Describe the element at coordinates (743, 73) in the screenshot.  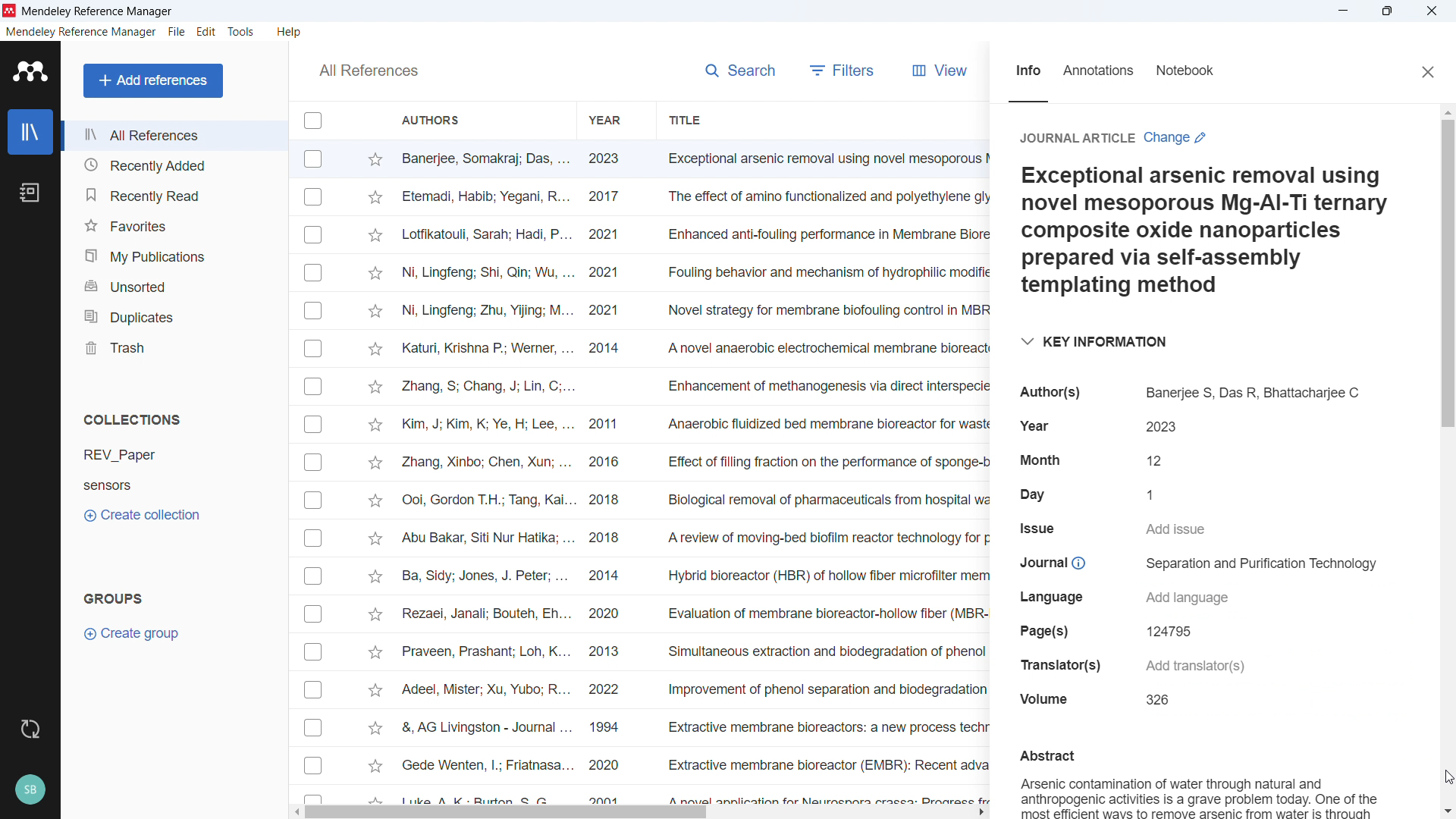
I see `search ` at that location.